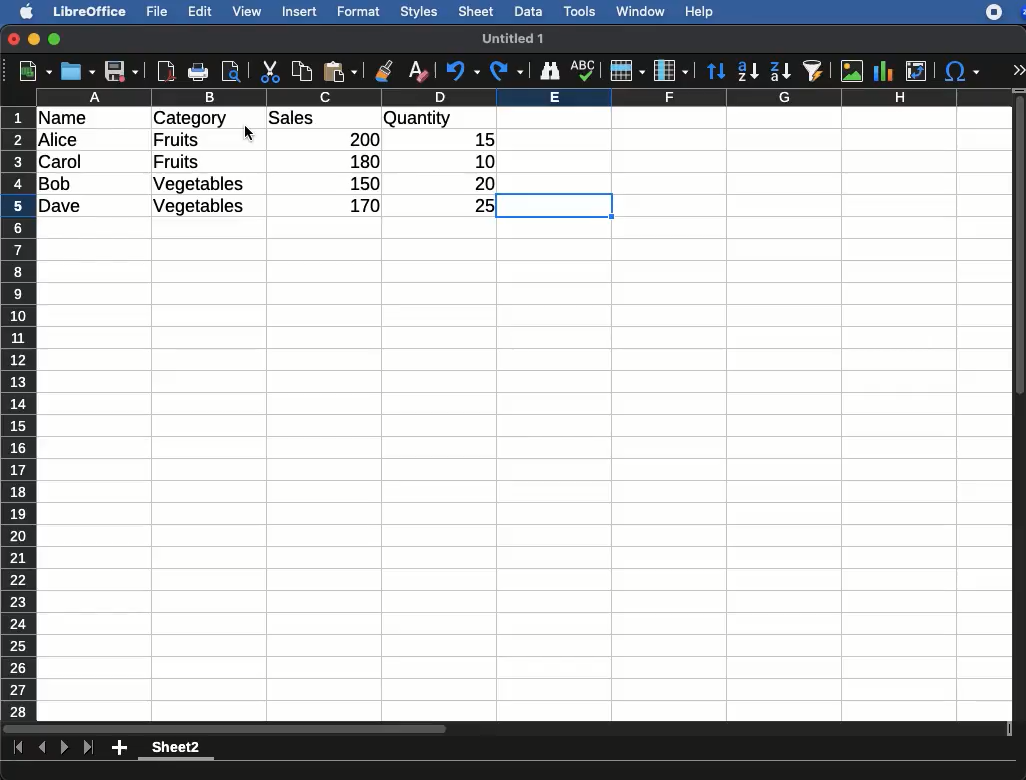 The height and width of the screenshot is (780, 1026). What do you see at coordinates (463, 71) in the screenshot?
I see `undo` at bounding box center [463, 71].